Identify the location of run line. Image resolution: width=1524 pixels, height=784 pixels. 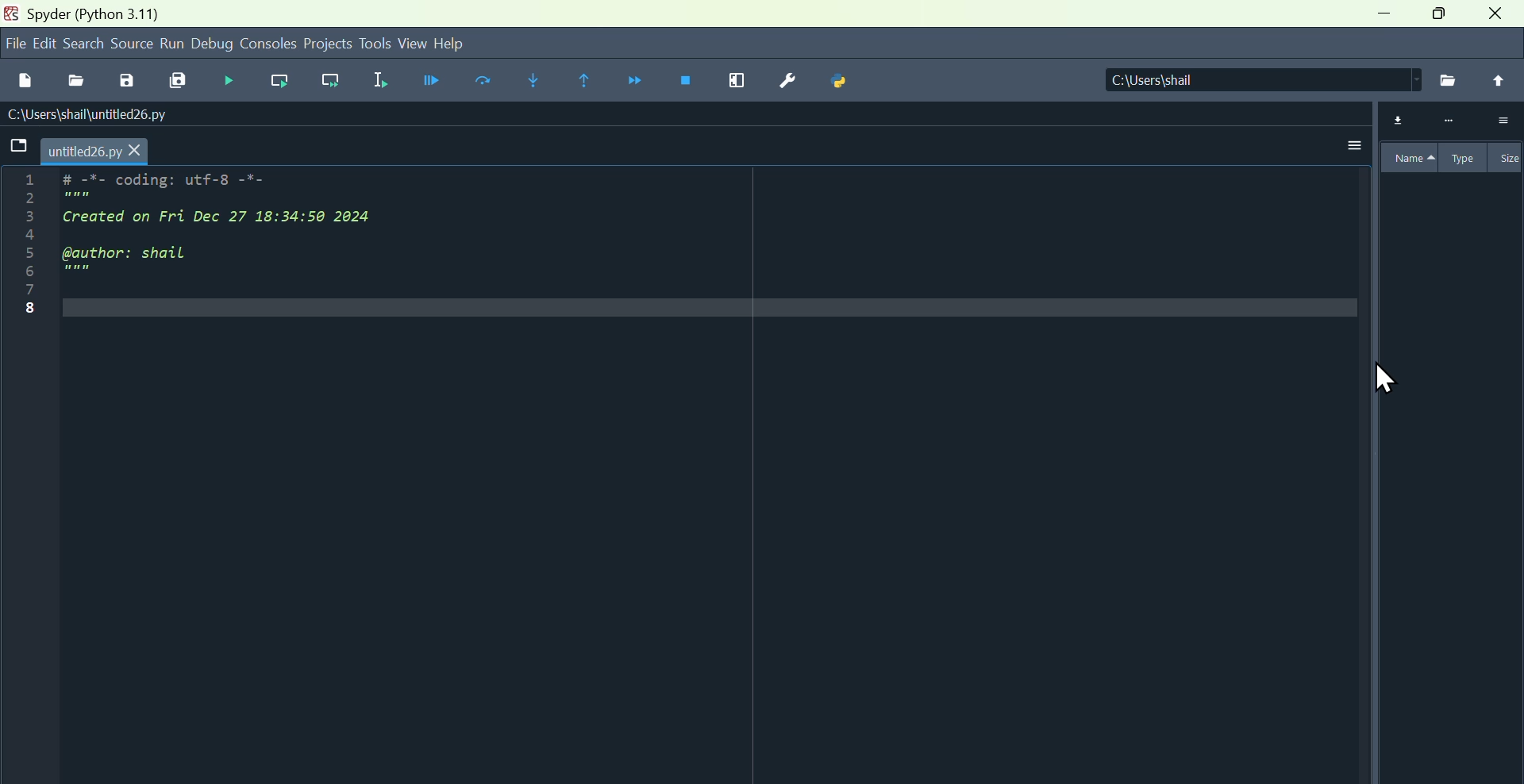
(275, 81).